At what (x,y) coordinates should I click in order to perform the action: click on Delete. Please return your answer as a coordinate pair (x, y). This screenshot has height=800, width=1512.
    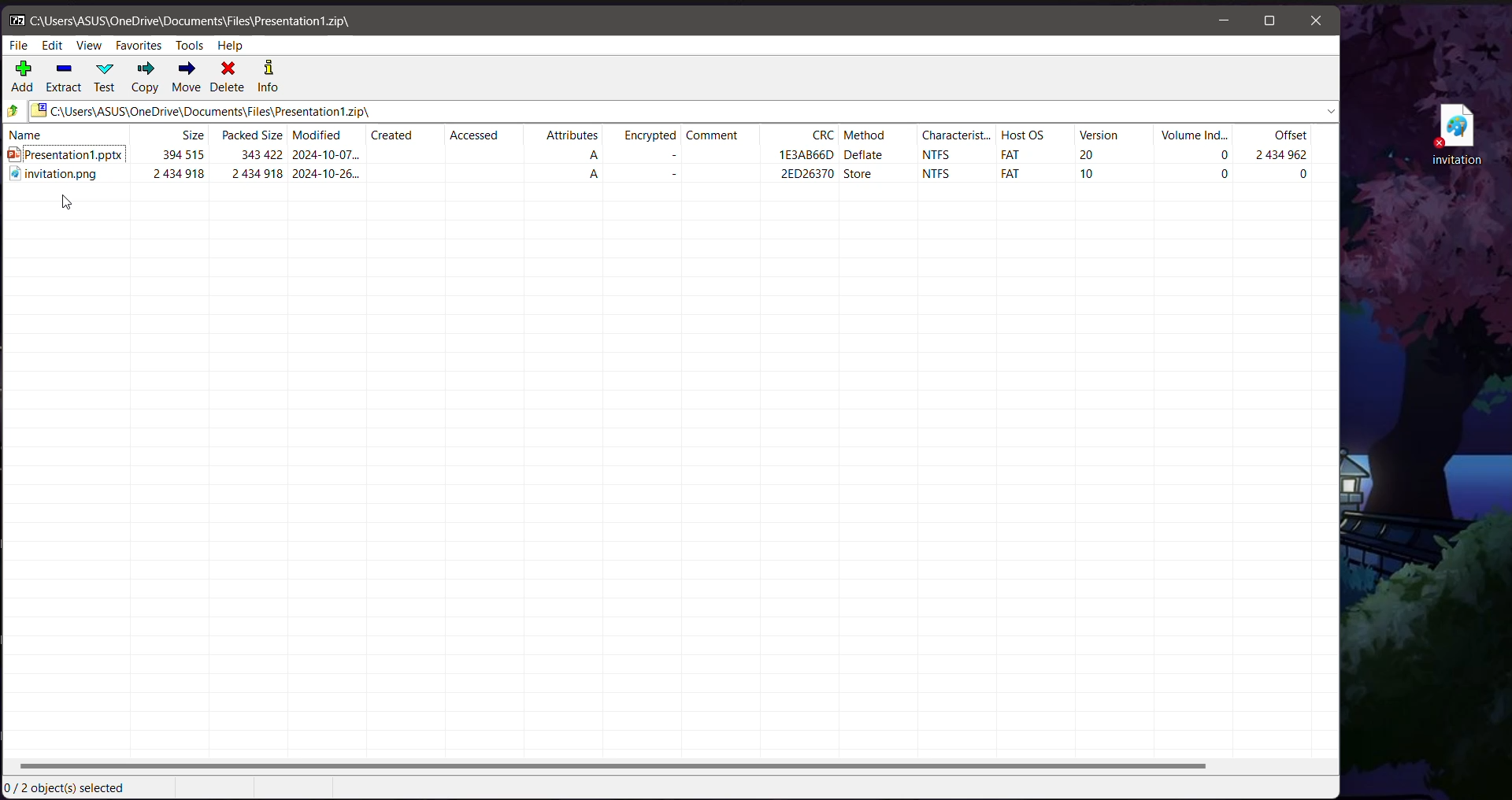
    Looking at the image, I should click on (229, 78).